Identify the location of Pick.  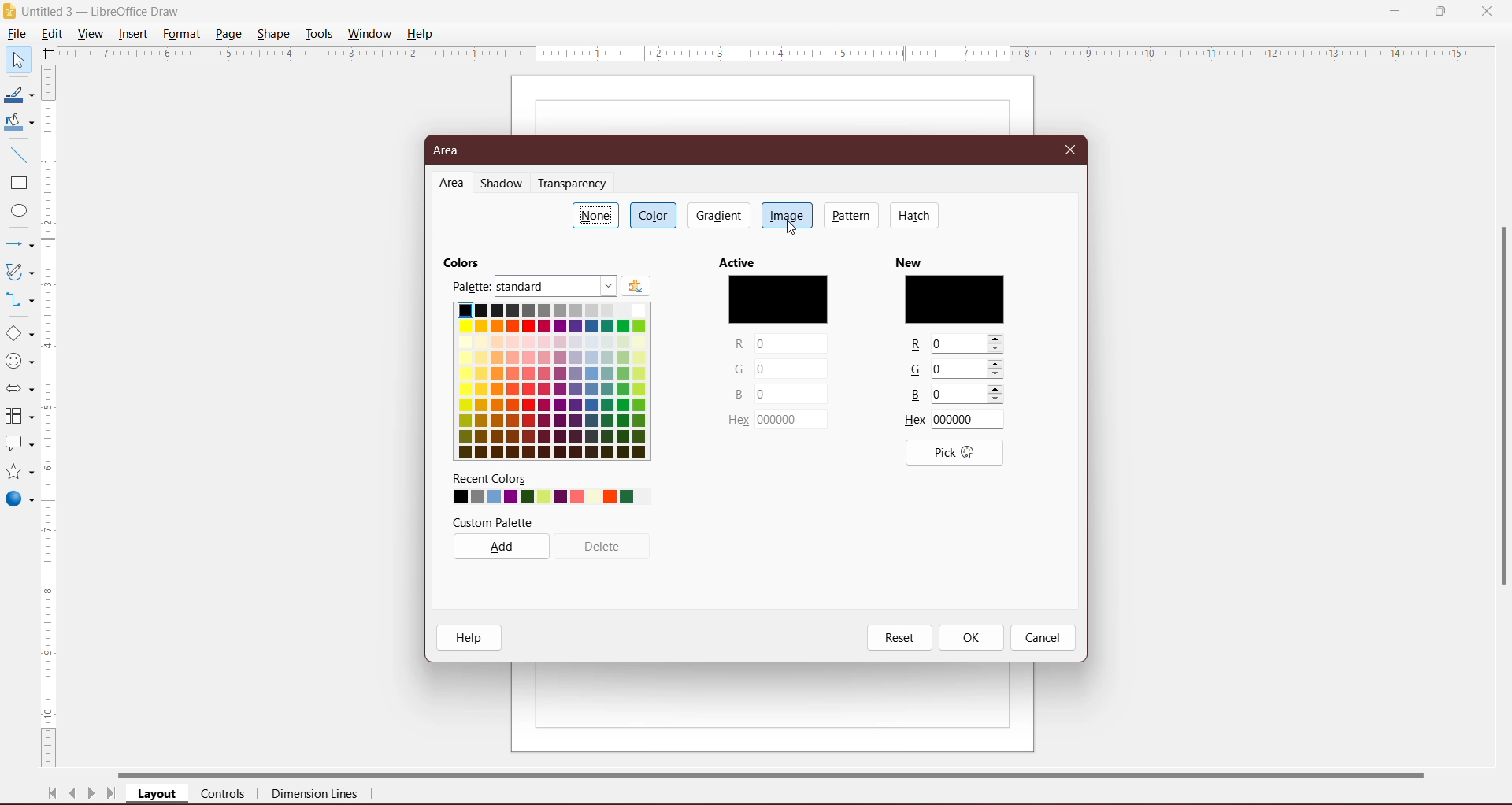
(954, 452).